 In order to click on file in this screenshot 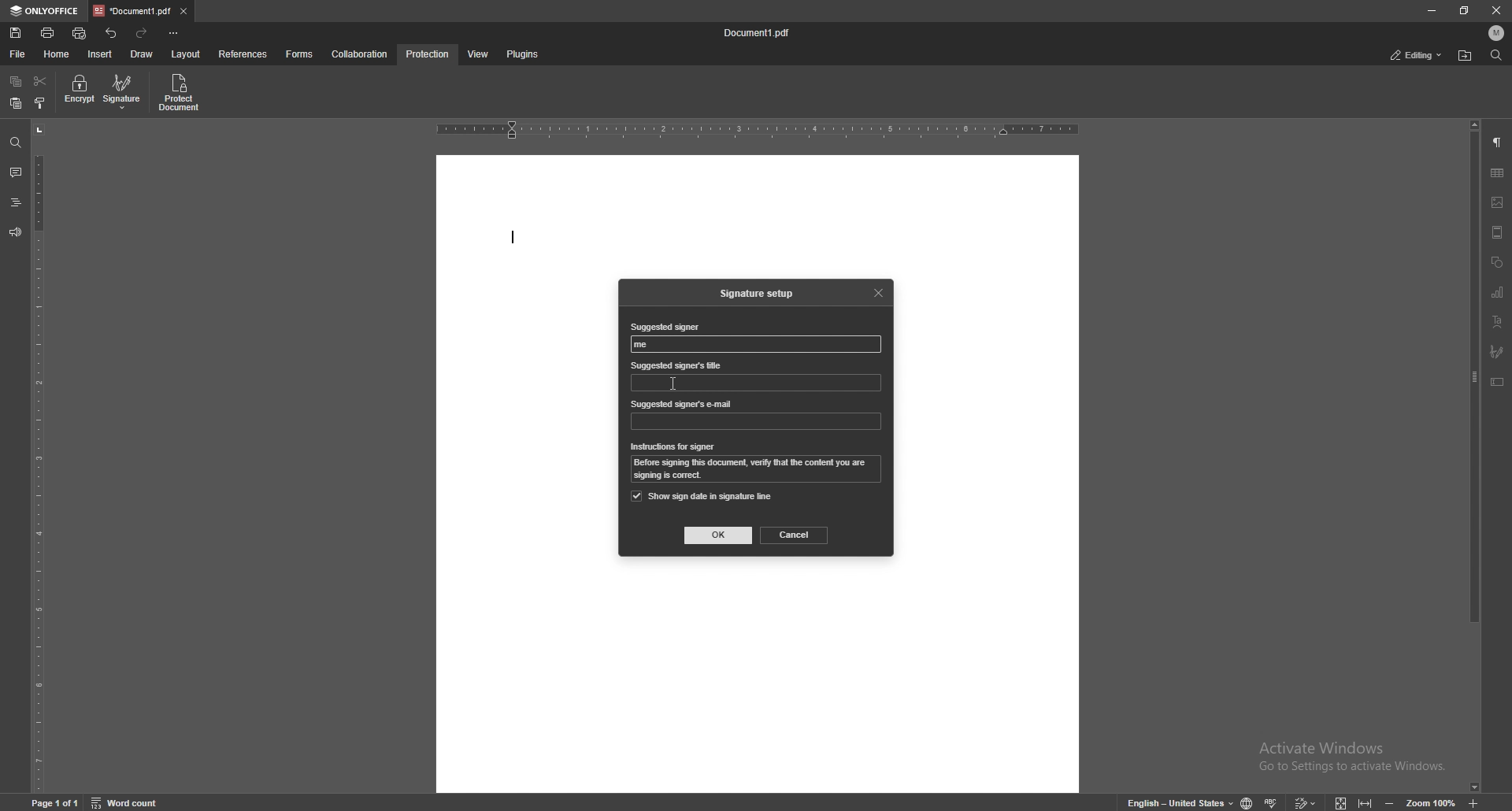, I will do `click(19, 54)`.